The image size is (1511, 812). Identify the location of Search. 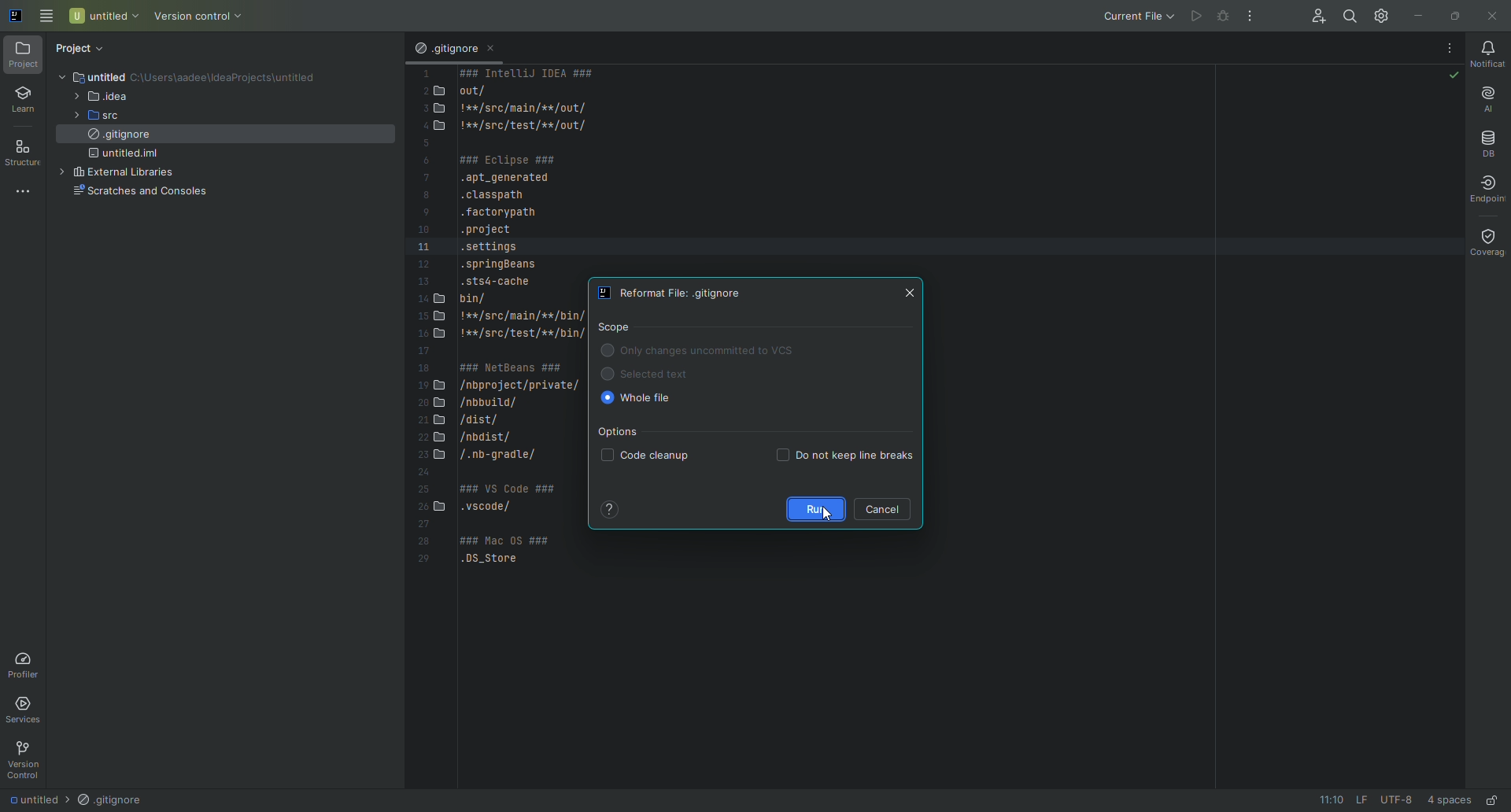
(1345, 15).